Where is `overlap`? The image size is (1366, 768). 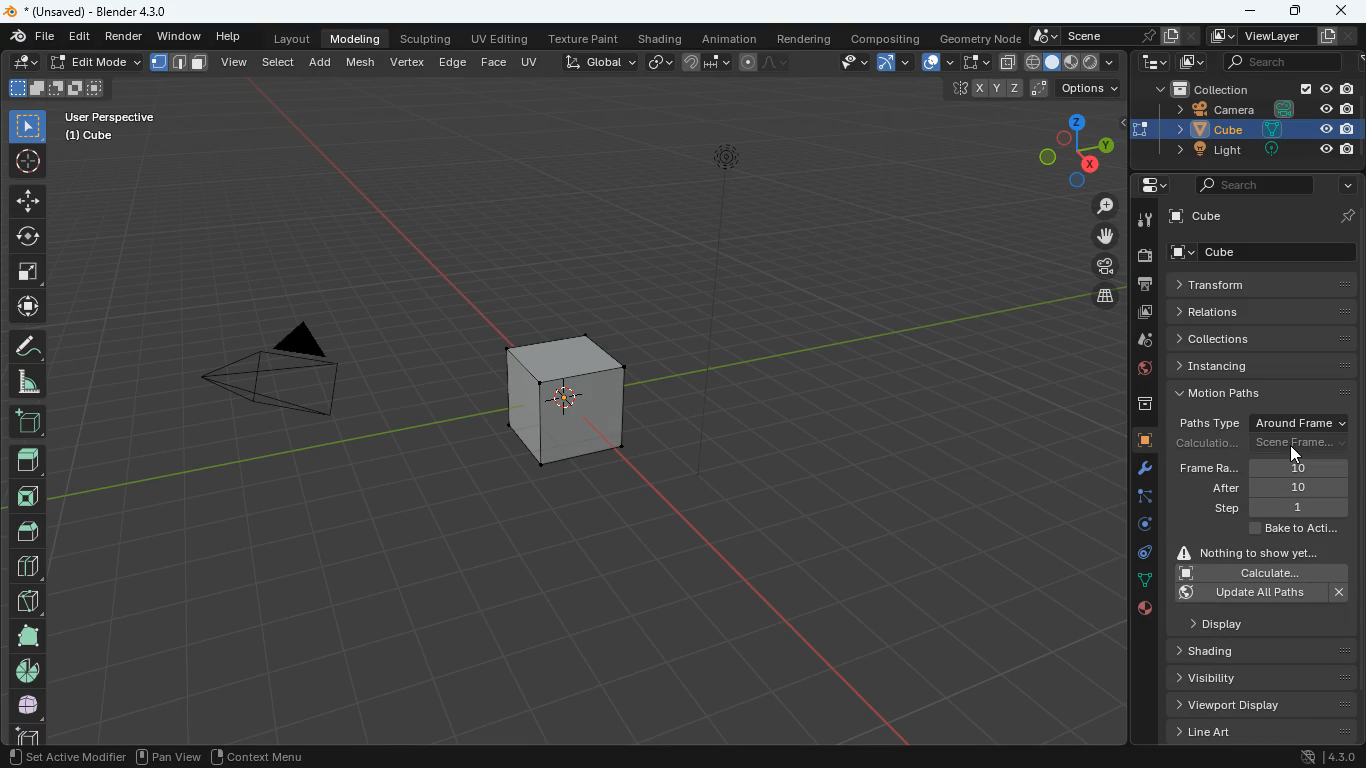 overlap is located at coordinates (937, 63).